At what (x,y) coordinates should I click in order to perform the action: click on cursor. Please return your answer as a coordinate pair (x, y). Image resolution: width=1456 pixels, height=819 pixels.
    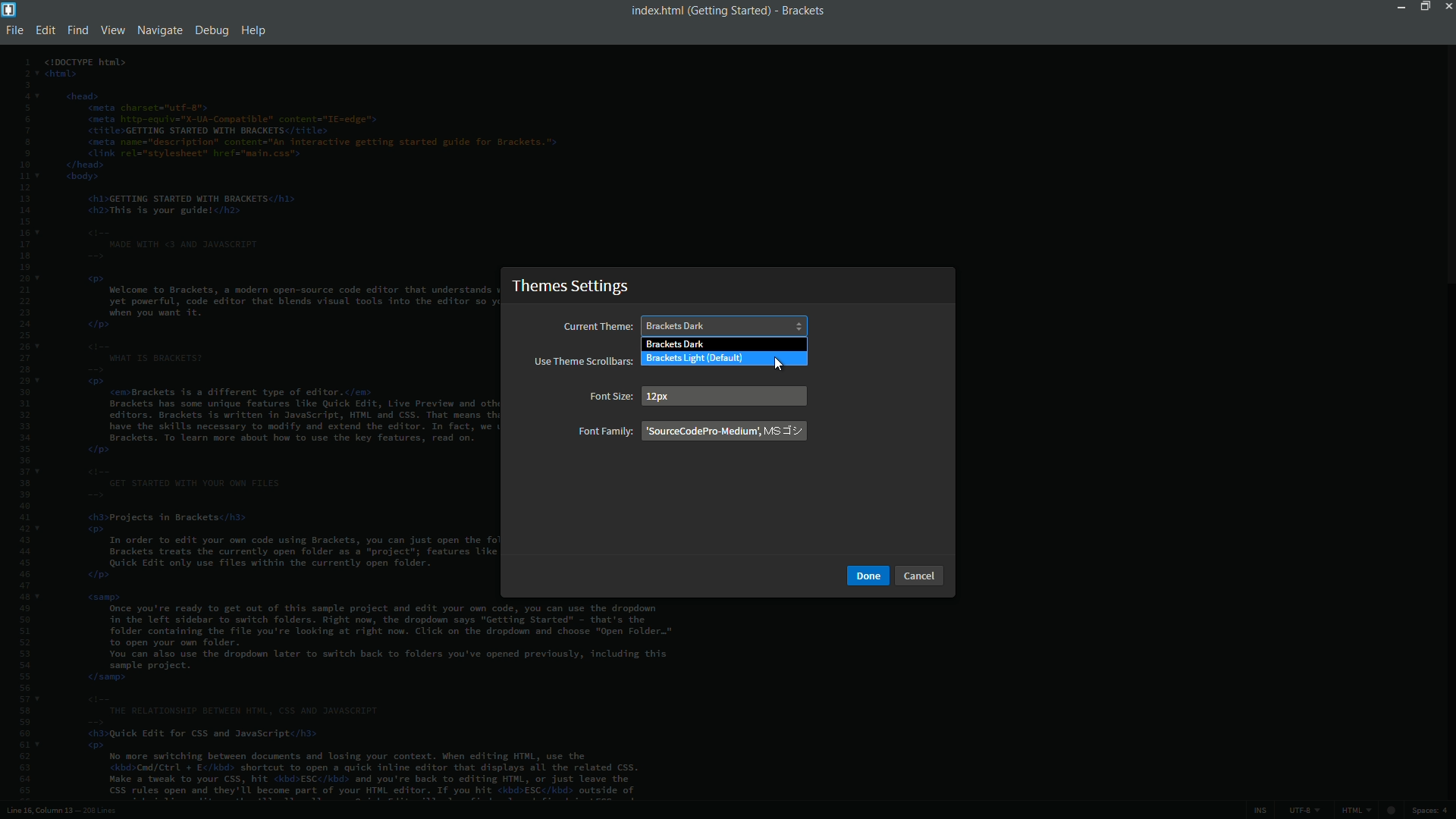
    Looking at the image, I should click on (780, 366).